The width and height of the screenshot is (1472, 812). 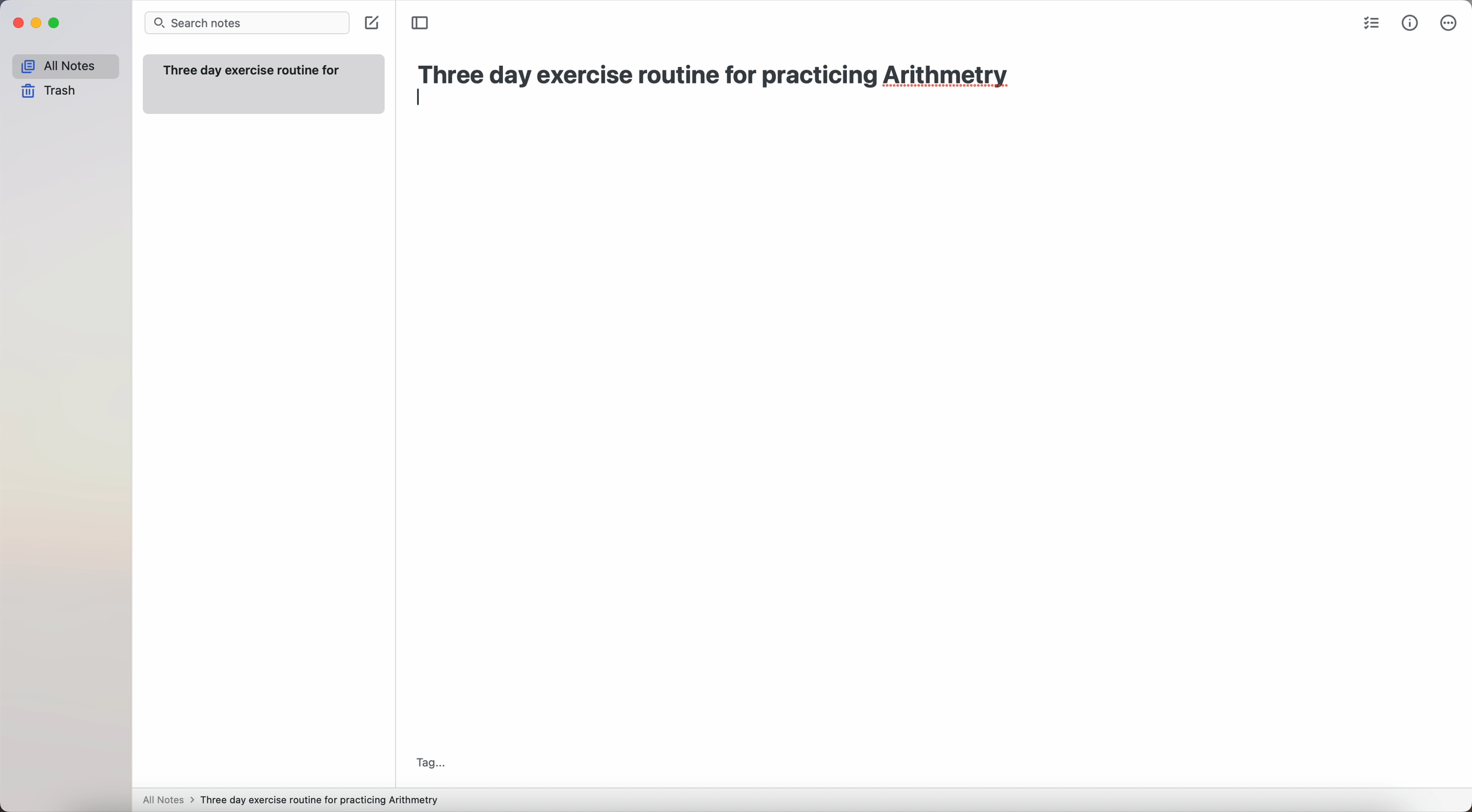 What do you see at coordinates (1449, 23) in the screenshot?
I see `more options` at bounding box center [1449, 23].